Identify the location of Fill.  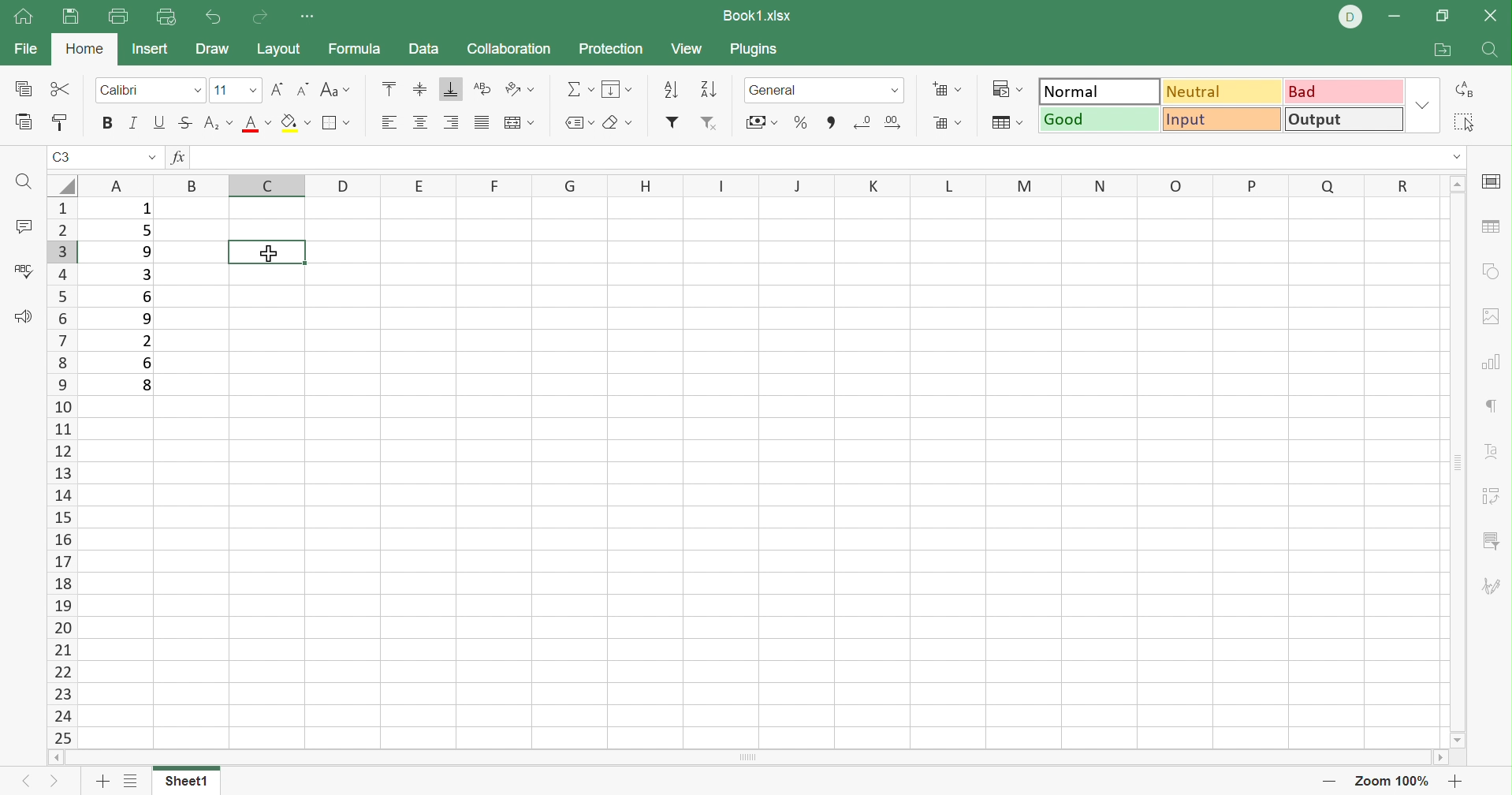
(296, 125).